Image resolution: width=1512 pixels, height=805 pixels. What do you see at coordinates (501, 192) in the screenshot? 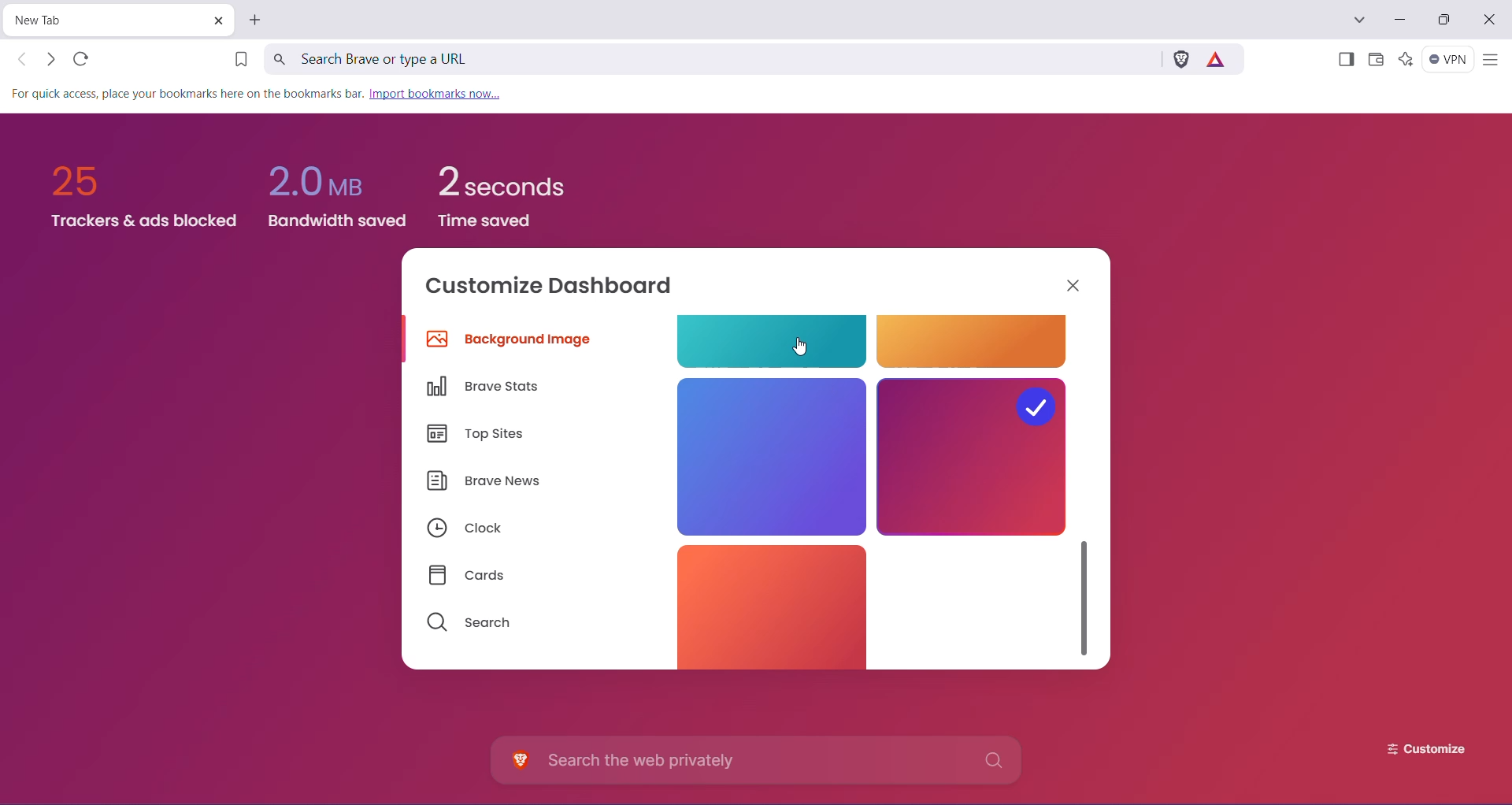
I see `2 seconds time saved` at bounding box center [501, 192].